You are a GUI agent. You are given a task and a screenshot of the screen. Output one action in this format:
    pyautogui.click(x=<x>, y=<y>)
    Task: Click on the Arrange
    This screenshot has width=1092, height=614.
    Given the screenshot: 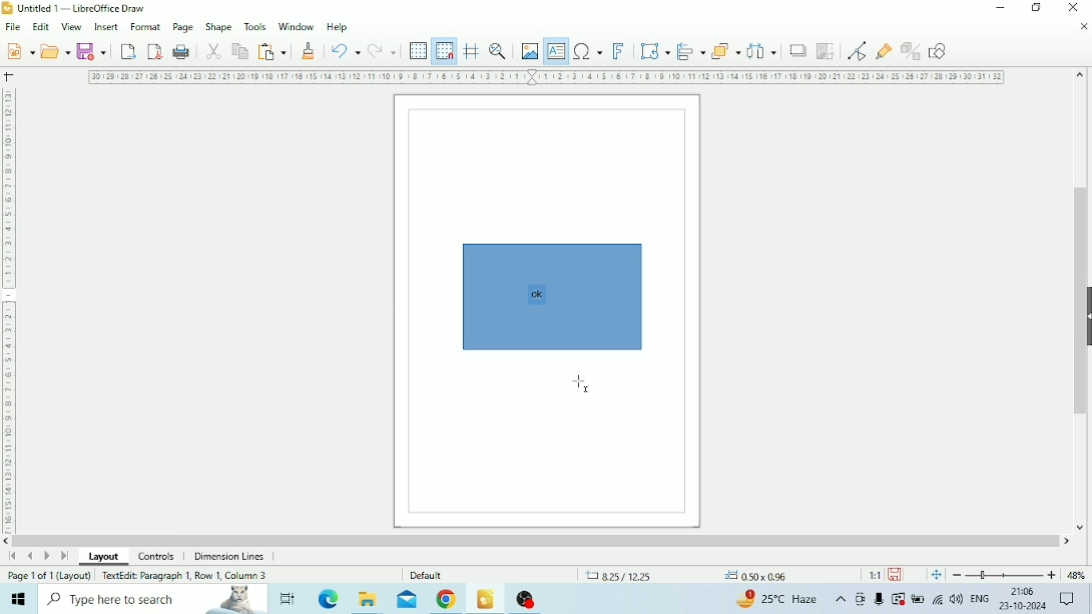 What is the action you would take?
    pyautogui.click(x=726, y=49)
    